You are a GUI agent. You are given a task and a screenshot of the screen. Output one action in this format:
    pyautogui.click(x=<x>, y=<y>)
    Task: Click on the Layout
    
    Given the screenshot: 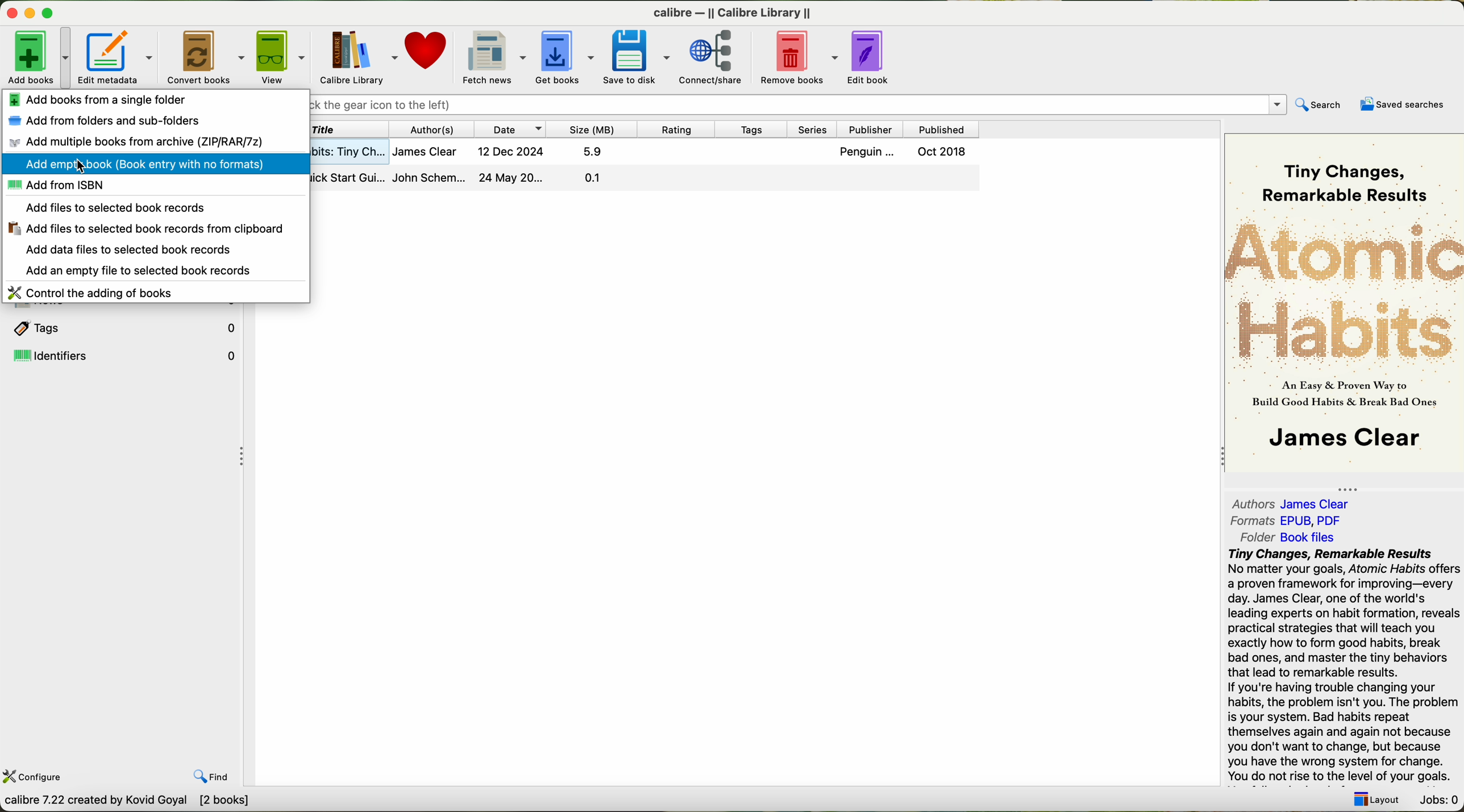 What is the action you would take?
    pyautogui.click(x=1376, y=800)
    